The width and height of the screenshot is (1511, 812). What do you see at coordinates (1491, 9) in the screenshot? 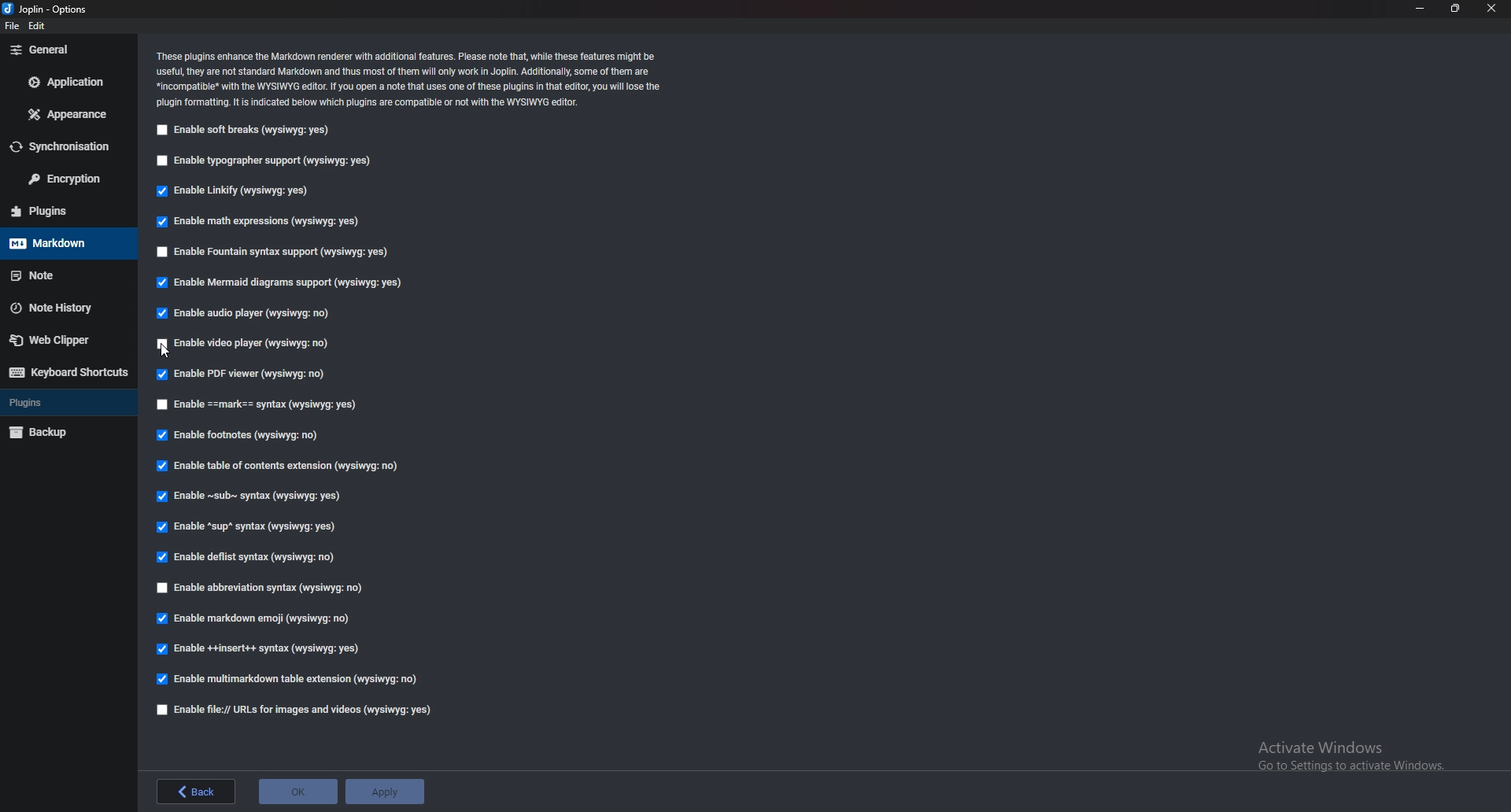
I see `close` at bounding box center [1491, 9].